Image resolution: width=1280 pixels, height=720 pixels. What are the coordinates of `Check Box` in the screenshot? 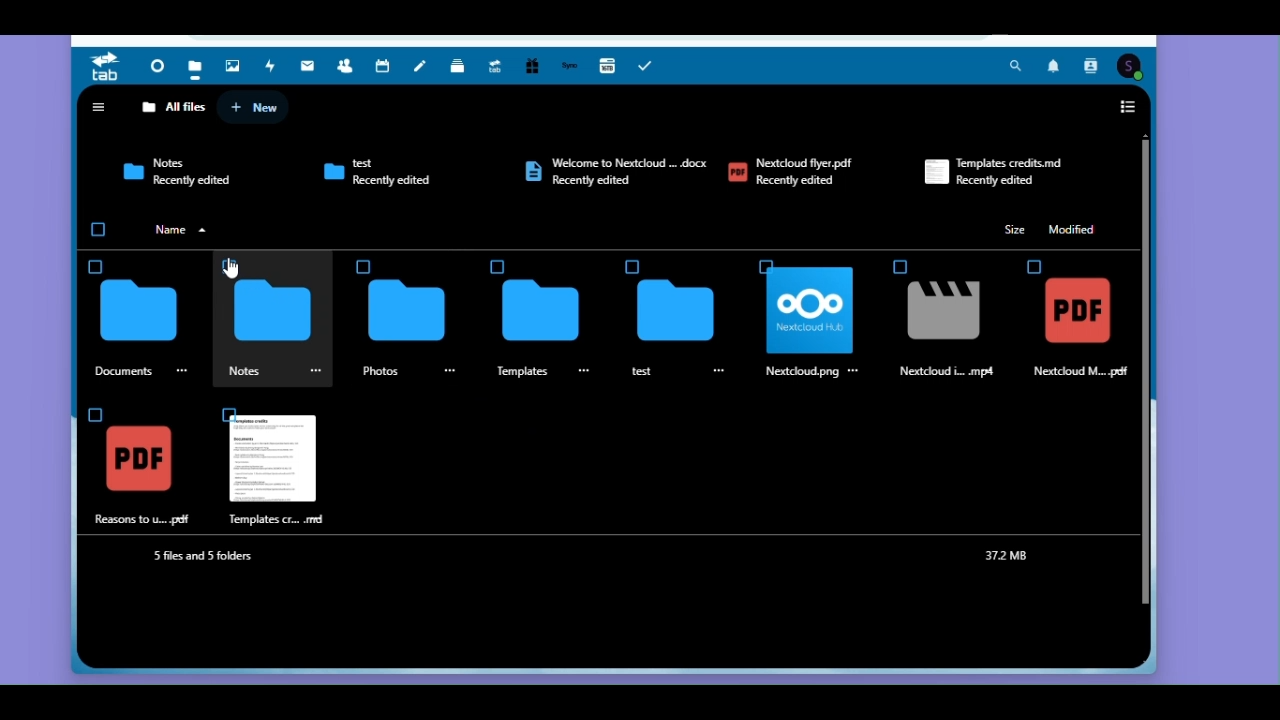 It's located at (631, 266).